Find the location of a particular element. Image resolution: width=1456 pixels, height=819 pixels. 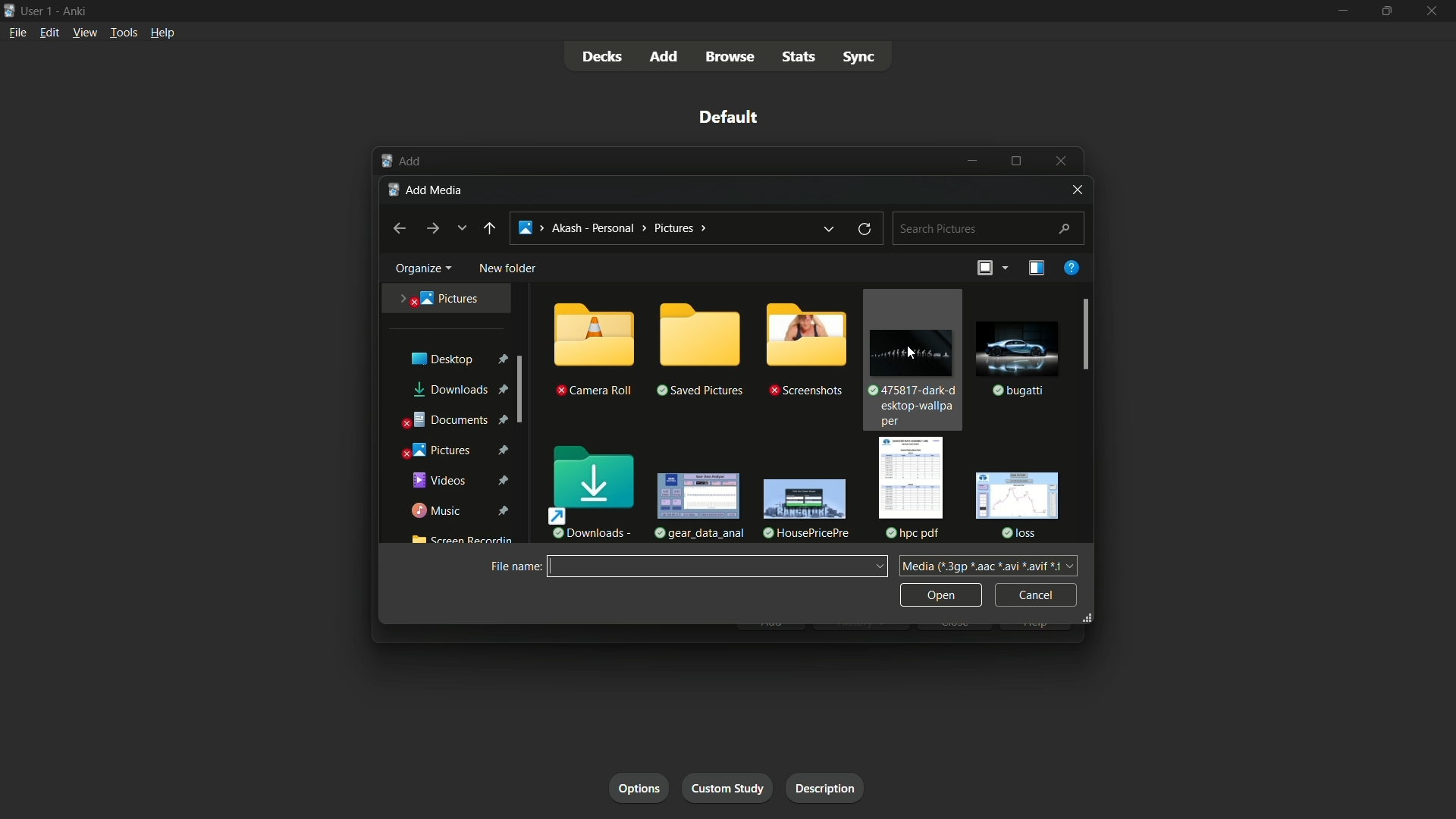

Screen Recording is located at coordinates (460, 541).